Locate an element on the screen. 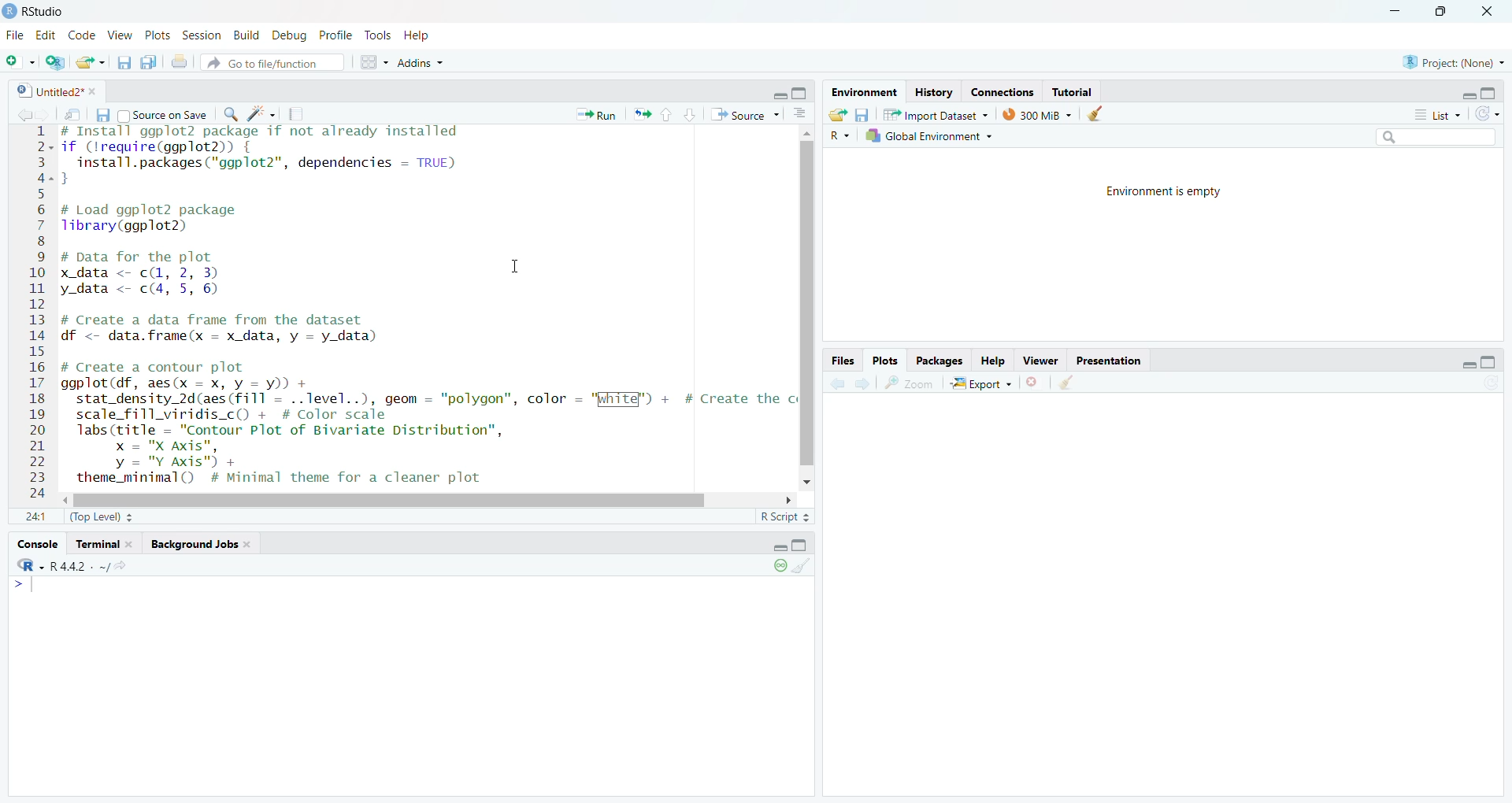  refresh is located at coordinates (1492, 113).